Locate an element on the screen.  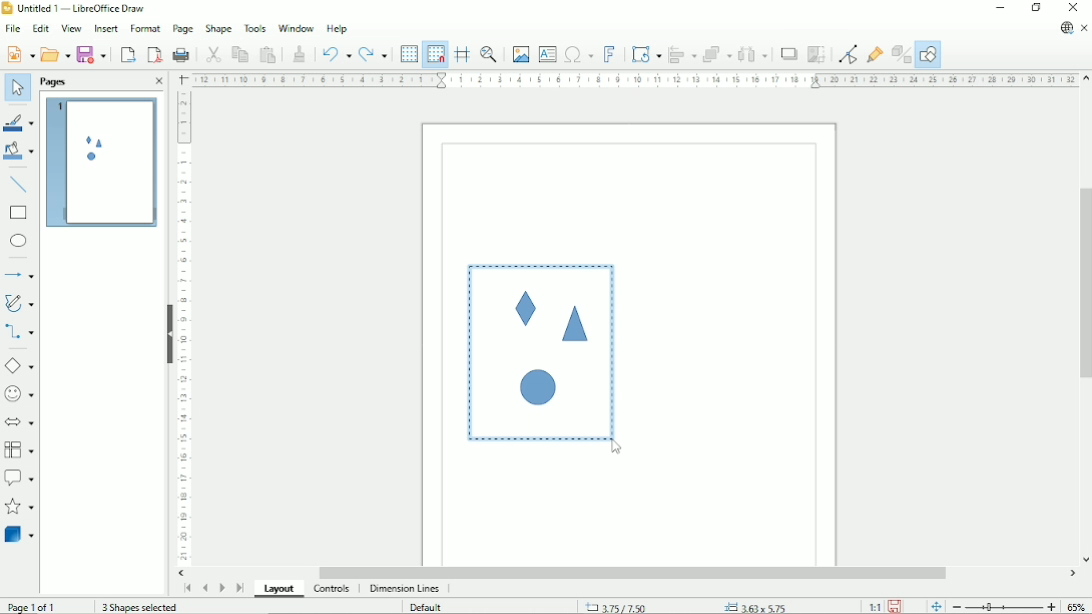
Tools is located at coordinates (255, 28).